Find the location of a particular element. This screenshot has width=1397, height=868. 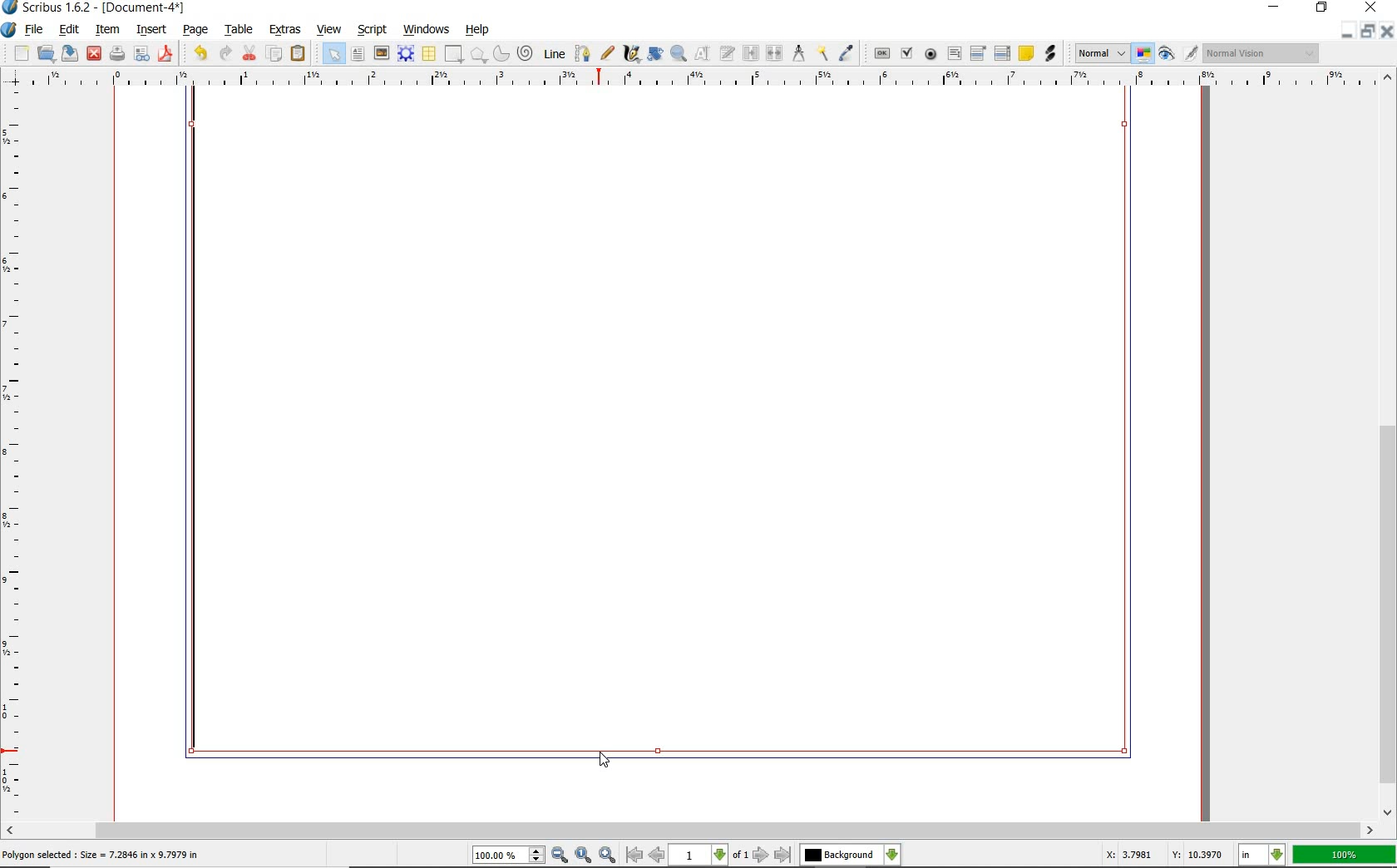

rotate item is located at coordinates (654, 55).